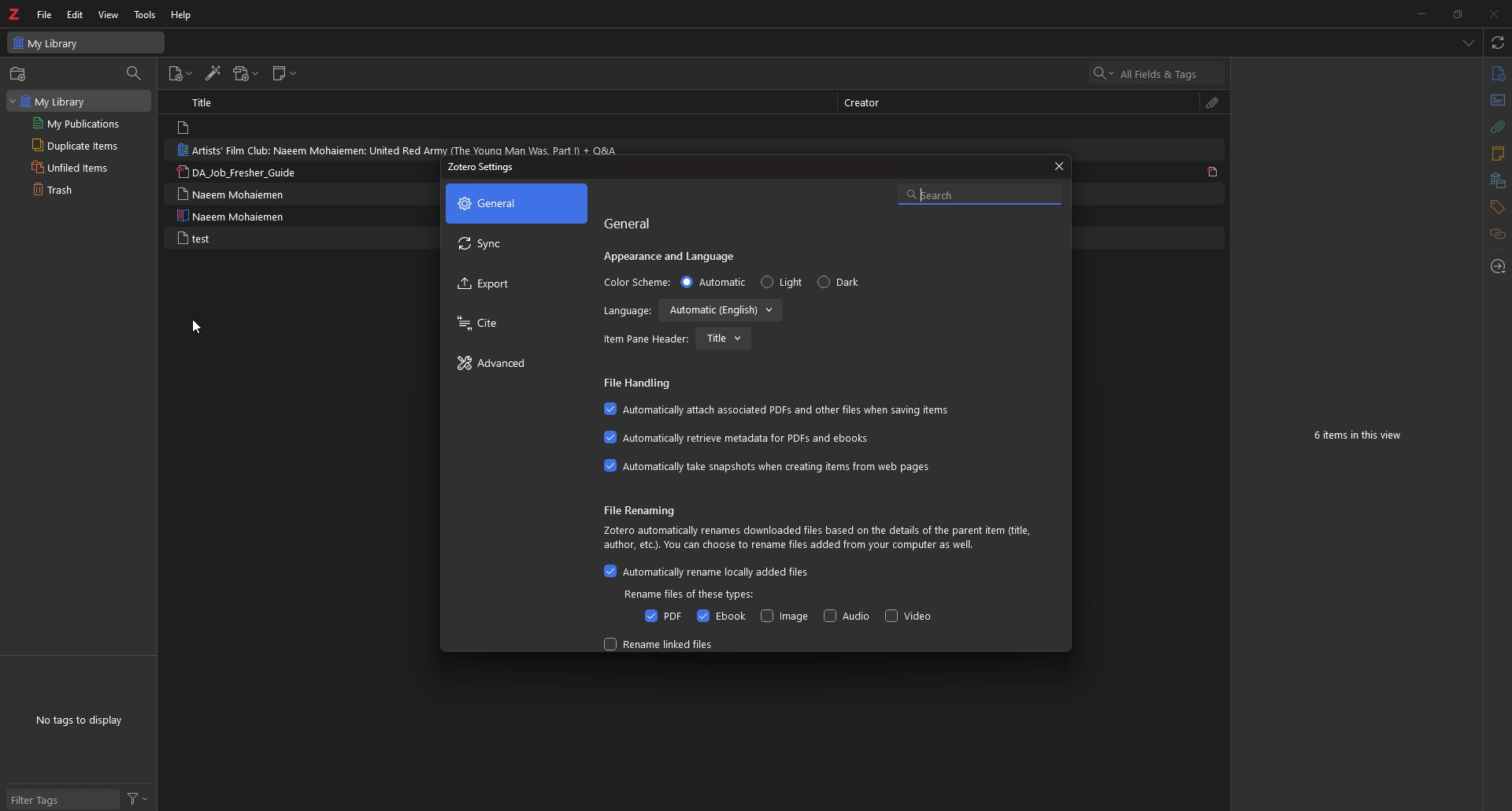  What do you see at coordinates (80, 167) in the screenshot?
I see `unfiled items` at bounding box center [80, 167].